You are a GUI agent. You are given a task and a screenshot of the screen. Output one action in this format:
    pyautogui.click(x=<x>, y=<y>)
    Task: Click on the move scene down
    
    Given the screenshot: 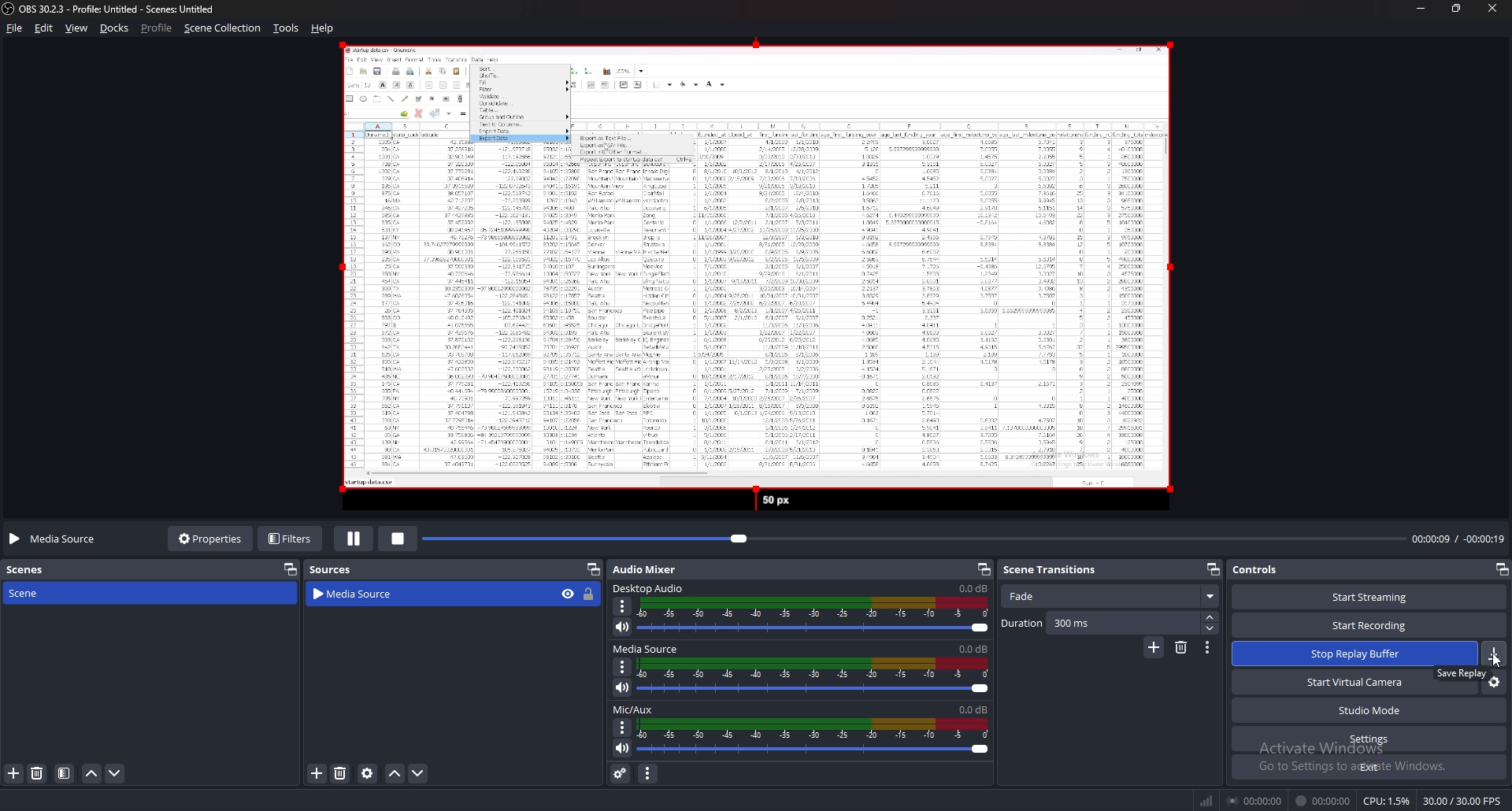 What is the action you would take?
    pyautogui.click(x=114, y=774)
    